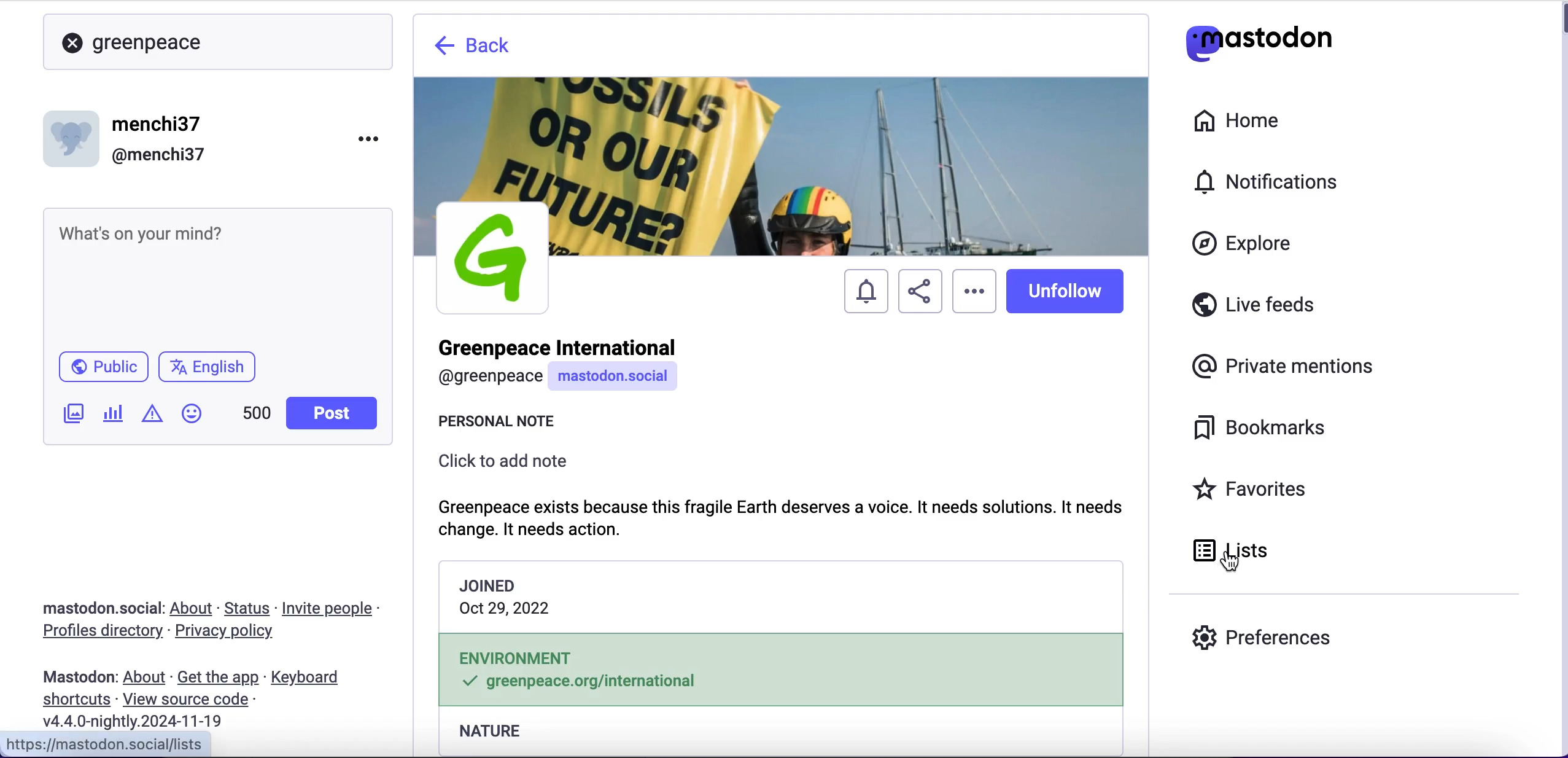 This screenshot has height=758, width=1568. Describe the element at coordinates (1259, 550) in the screenshot. I see `lists` at that location.